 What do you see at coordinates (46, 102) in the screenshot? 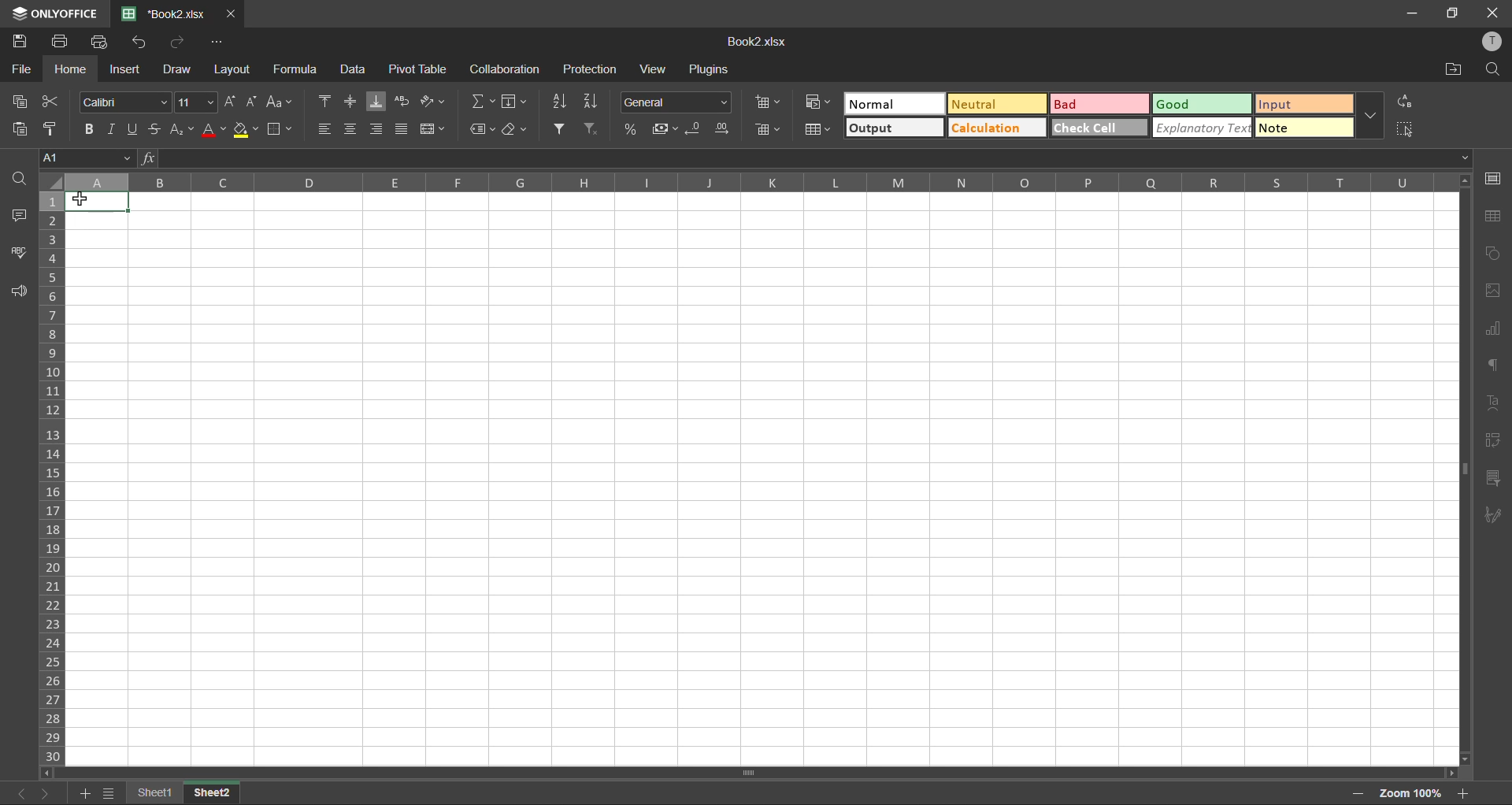
I see `cut` at bounding box center [46, 102].